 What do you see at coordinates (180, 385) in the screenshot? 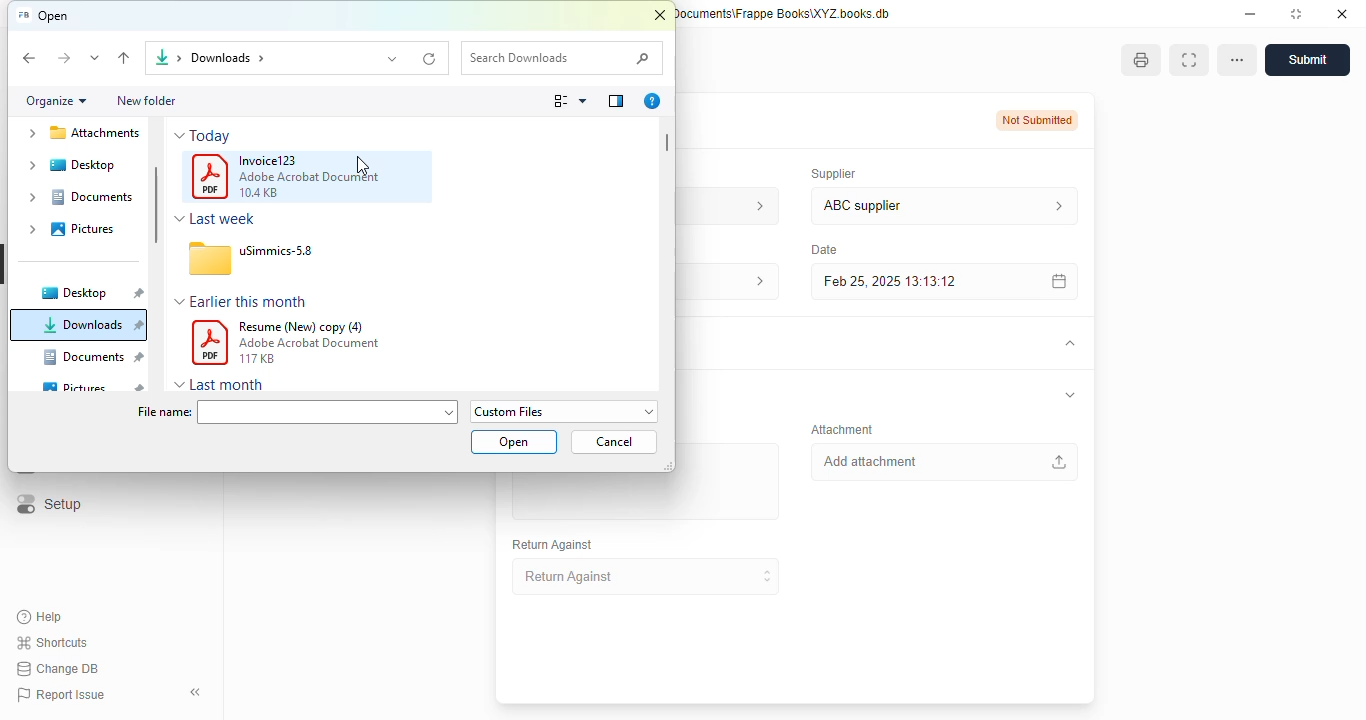
I see `dropdown` at bounding box center [180, 385].